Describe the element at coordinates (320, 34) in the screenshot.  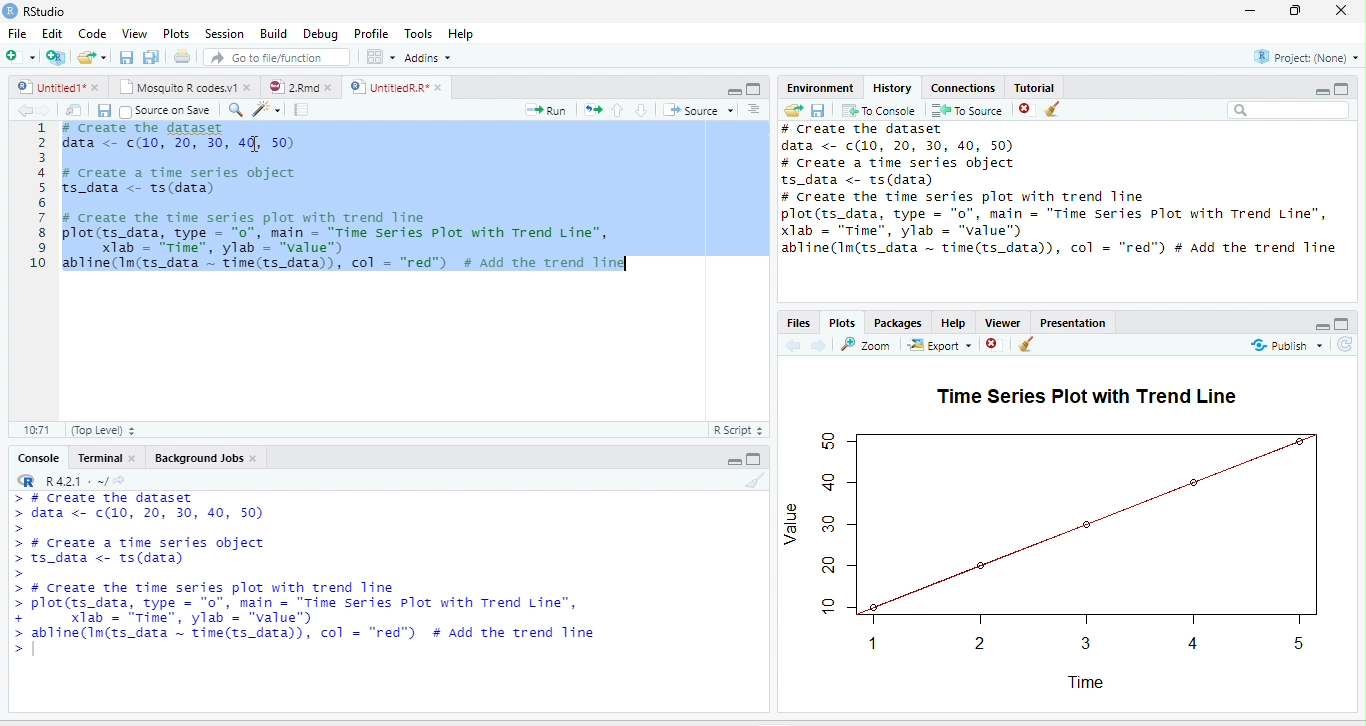
I see `Debug` at that location.